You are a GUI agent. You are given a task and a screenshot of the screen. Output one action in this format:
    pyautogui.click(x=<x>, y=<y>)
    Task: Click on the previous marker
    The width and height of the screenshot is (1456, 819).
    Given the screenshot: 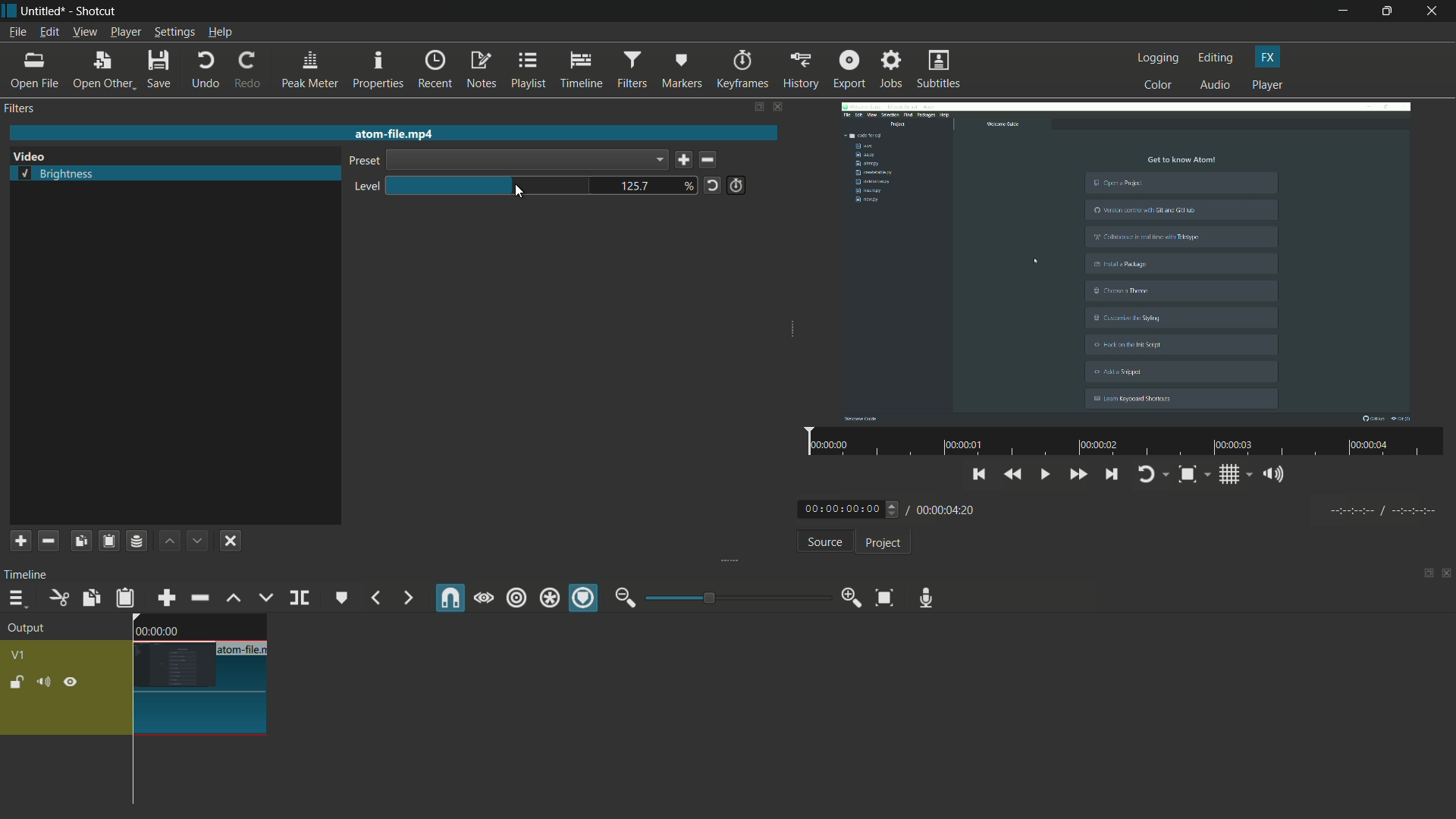 What is the action you would take?
    pyautogui.click(x=375, y=598)
    